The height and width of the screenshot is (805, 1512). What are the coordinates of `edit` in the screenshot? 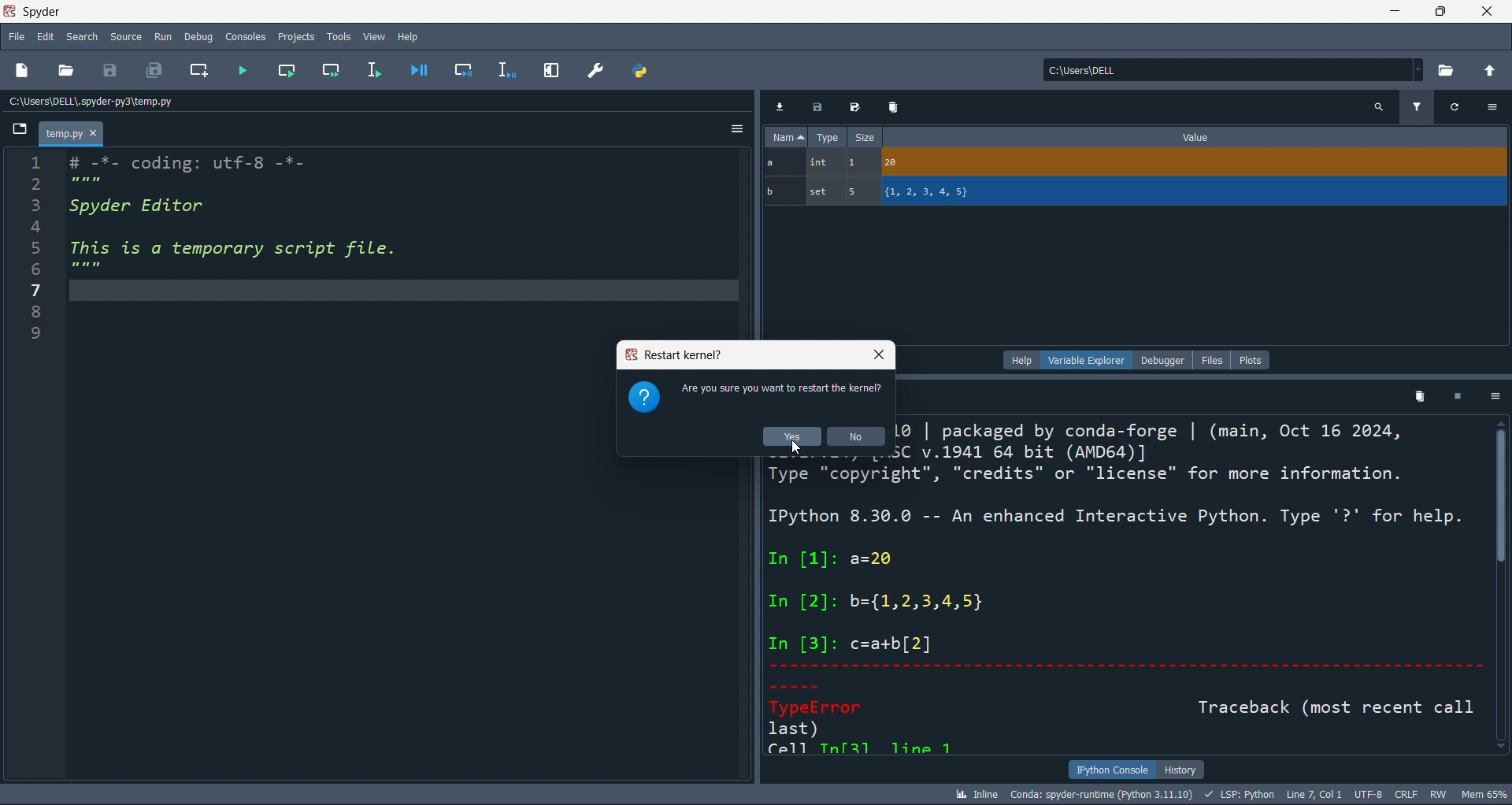 It's located at (45, 39).